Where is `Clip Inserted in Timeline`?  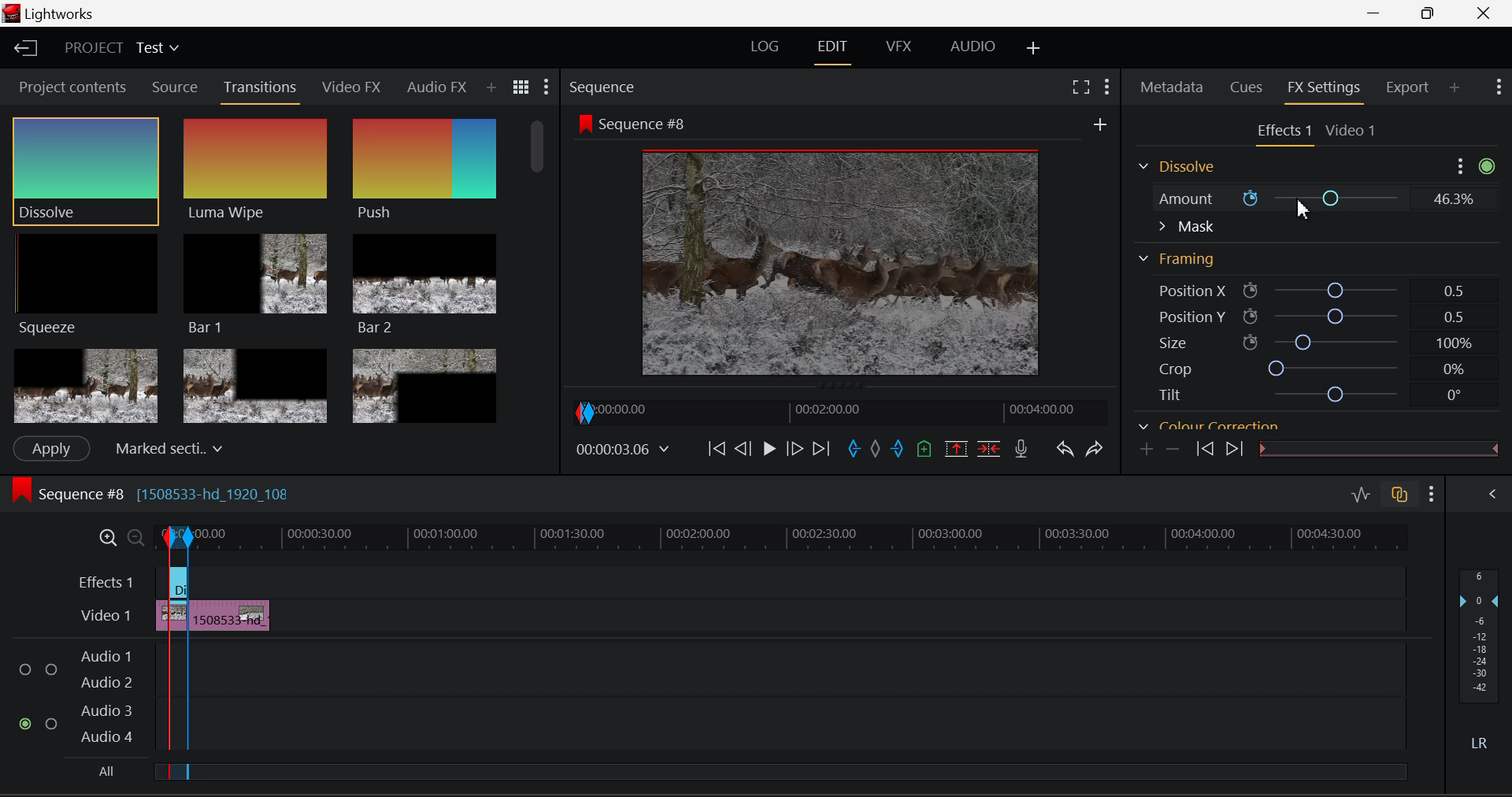
Clip Inserted in Timeline is located at coordinates (231, 613).